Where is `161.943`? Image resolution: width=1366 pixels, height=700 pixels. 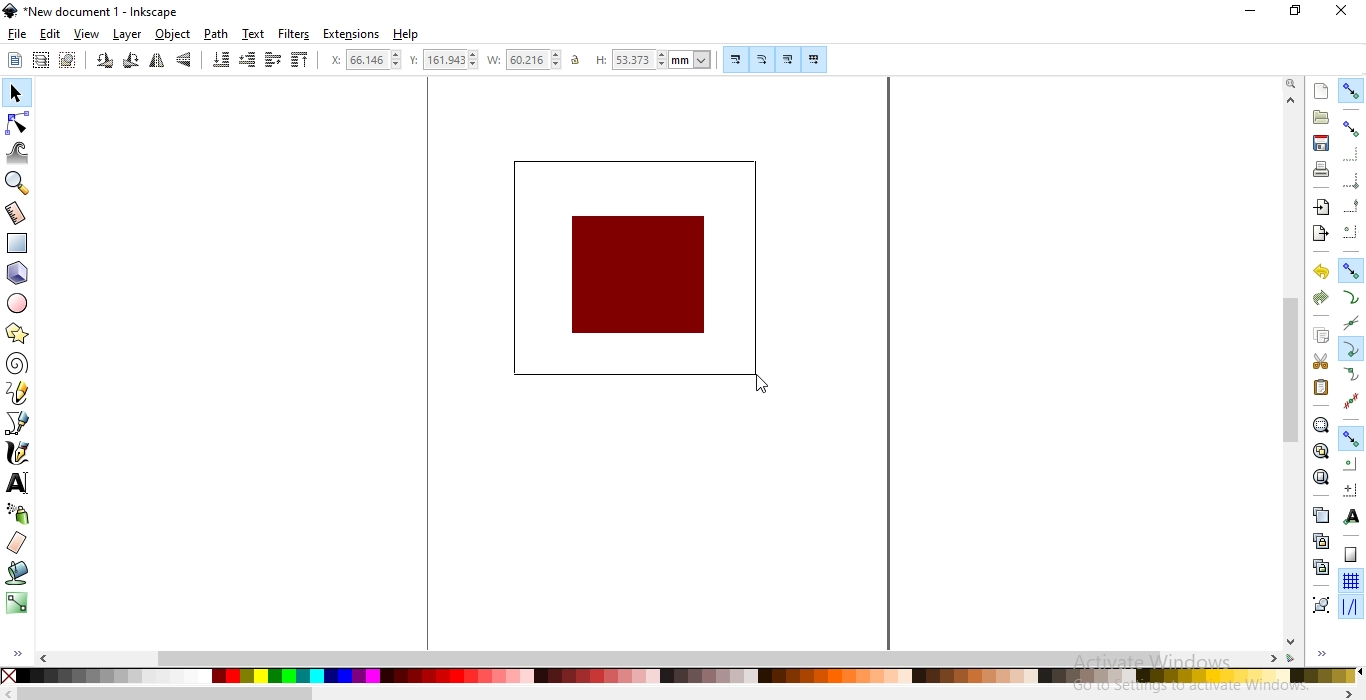 161.943 is located at coordinates (452, 60).